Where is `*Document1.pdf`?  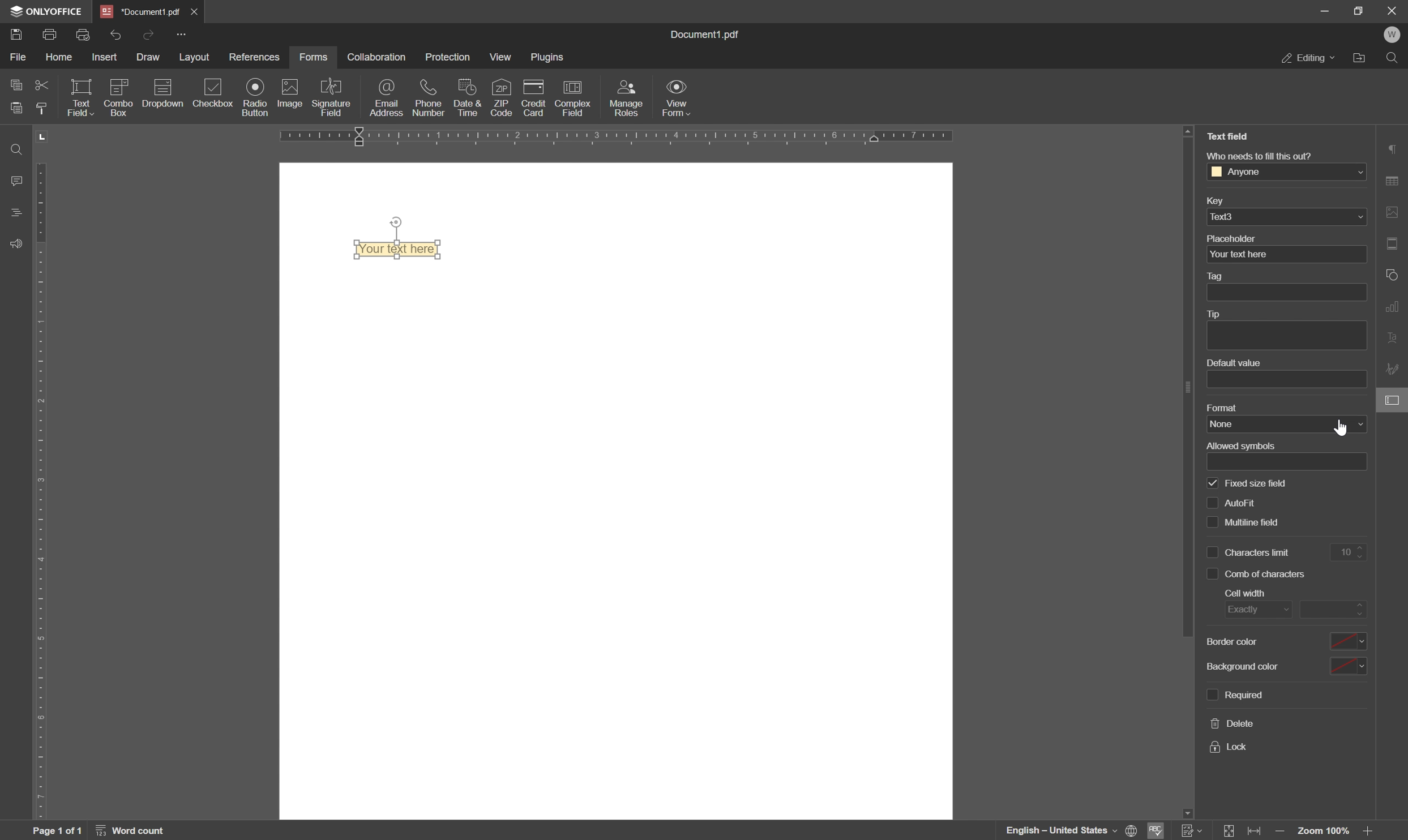 *Document1.pdf is located at coordinates (141, 11).